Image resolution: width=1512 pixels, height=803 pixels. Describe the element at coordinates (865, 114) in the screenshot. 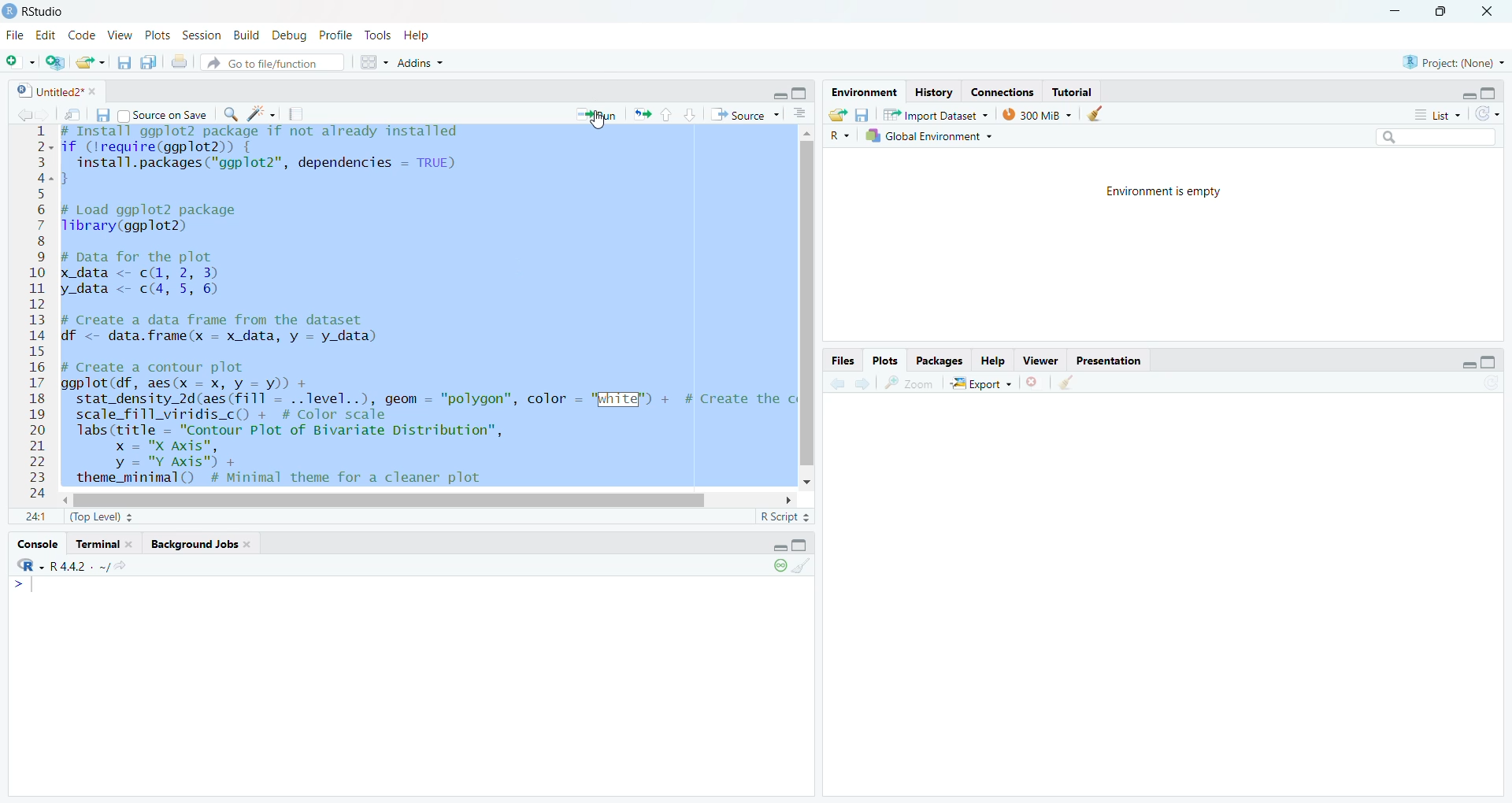

I see `save` at that location.